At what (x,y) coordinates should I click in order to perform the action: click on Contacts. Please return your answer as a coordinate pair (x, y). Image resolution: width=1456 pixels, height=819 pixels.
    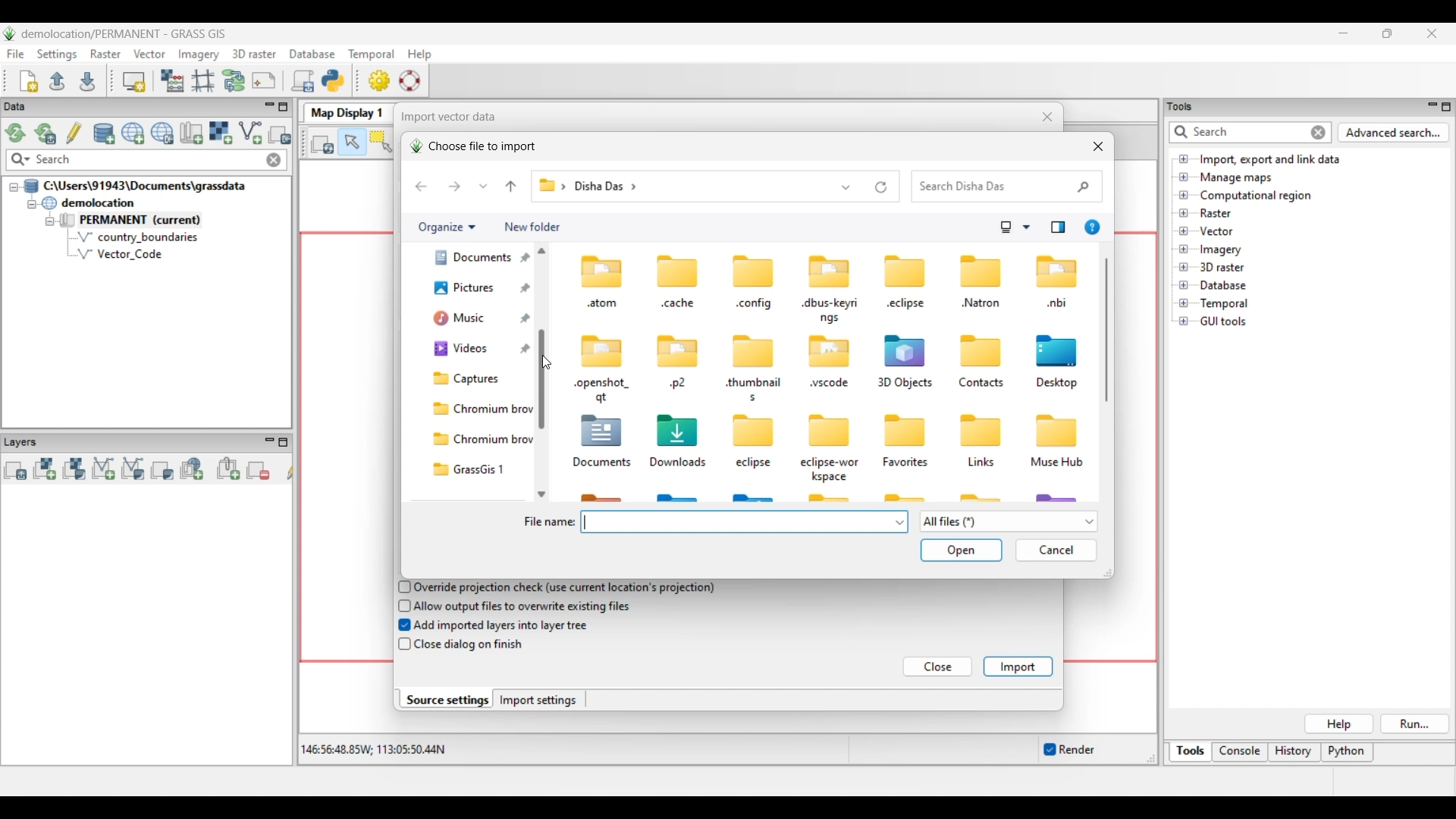
    Looking at the image, I should click on (981, 384).